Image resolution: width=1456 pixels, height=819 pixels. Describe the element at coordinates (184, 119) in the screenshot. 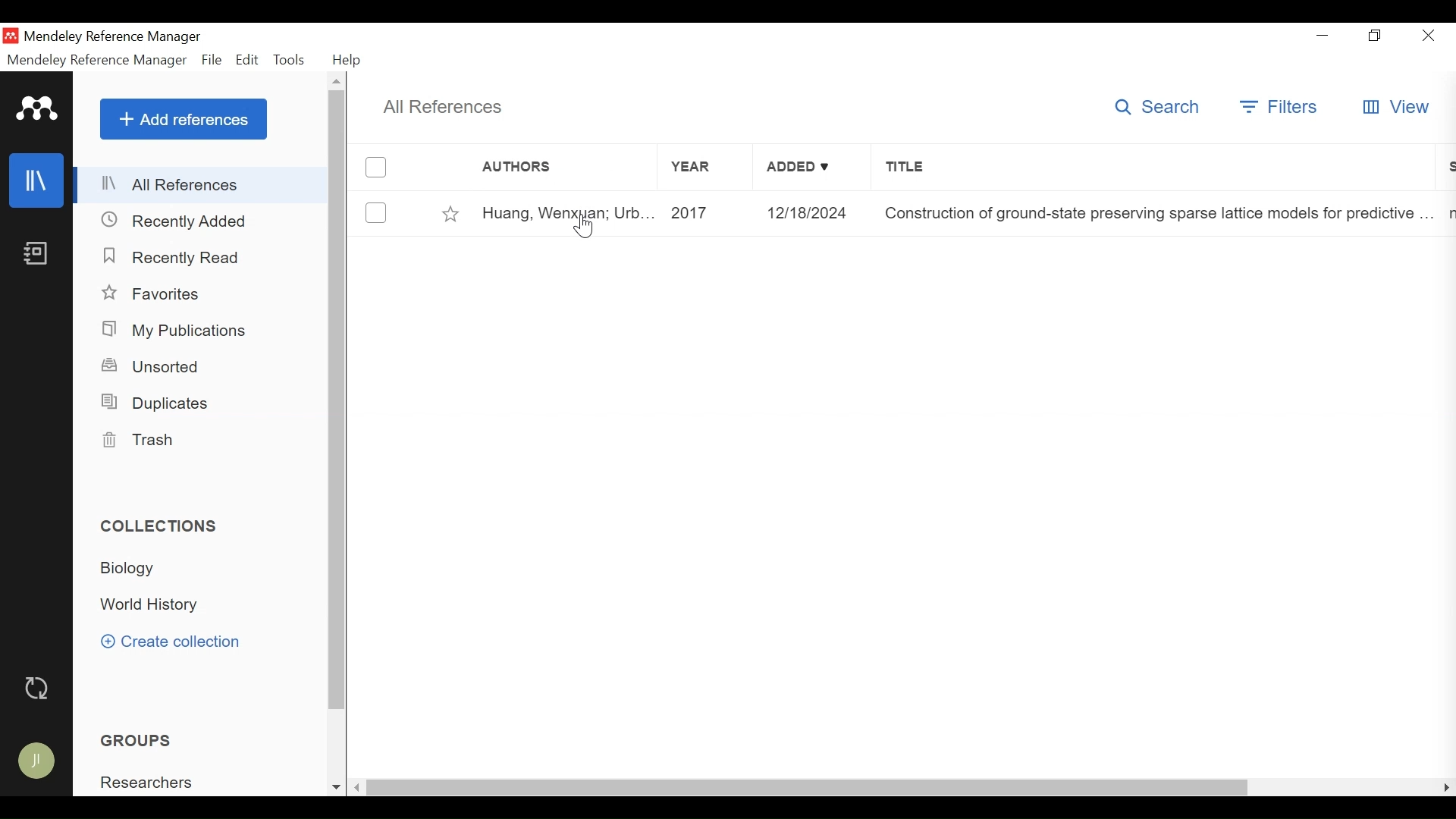

I see `Add References` at that location.